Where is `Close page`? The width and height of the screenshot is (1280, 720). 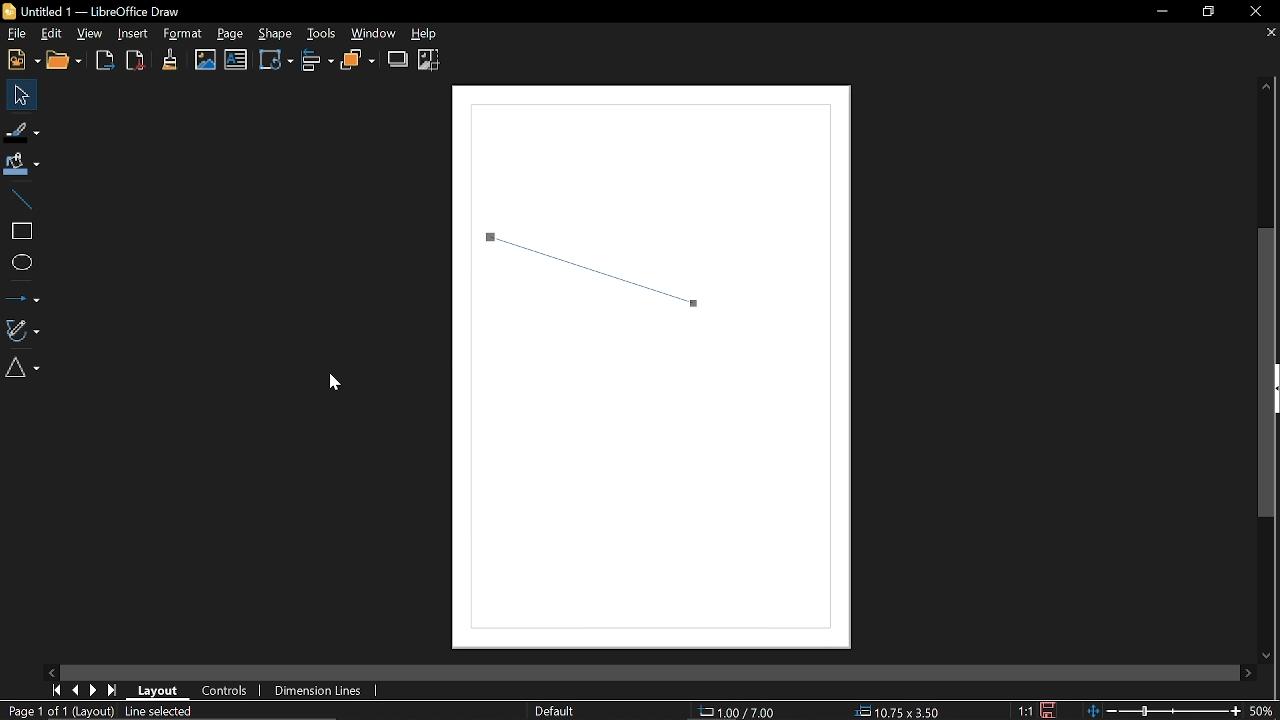 Close page is located at coordinates (1266, 34).